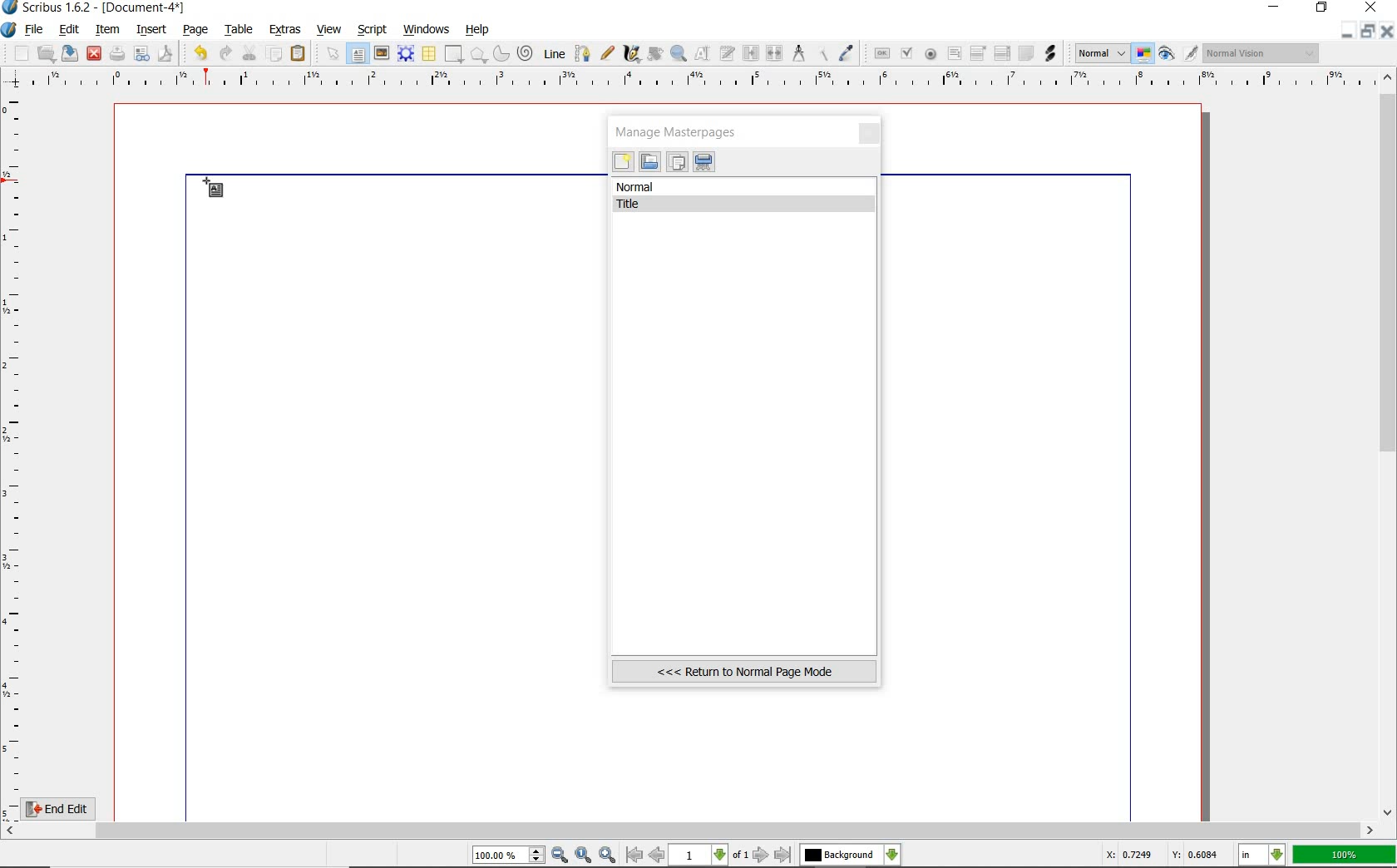 This screenshot has height=868, width=1397. I want to click on edit text with story editor, so click(728, 55).